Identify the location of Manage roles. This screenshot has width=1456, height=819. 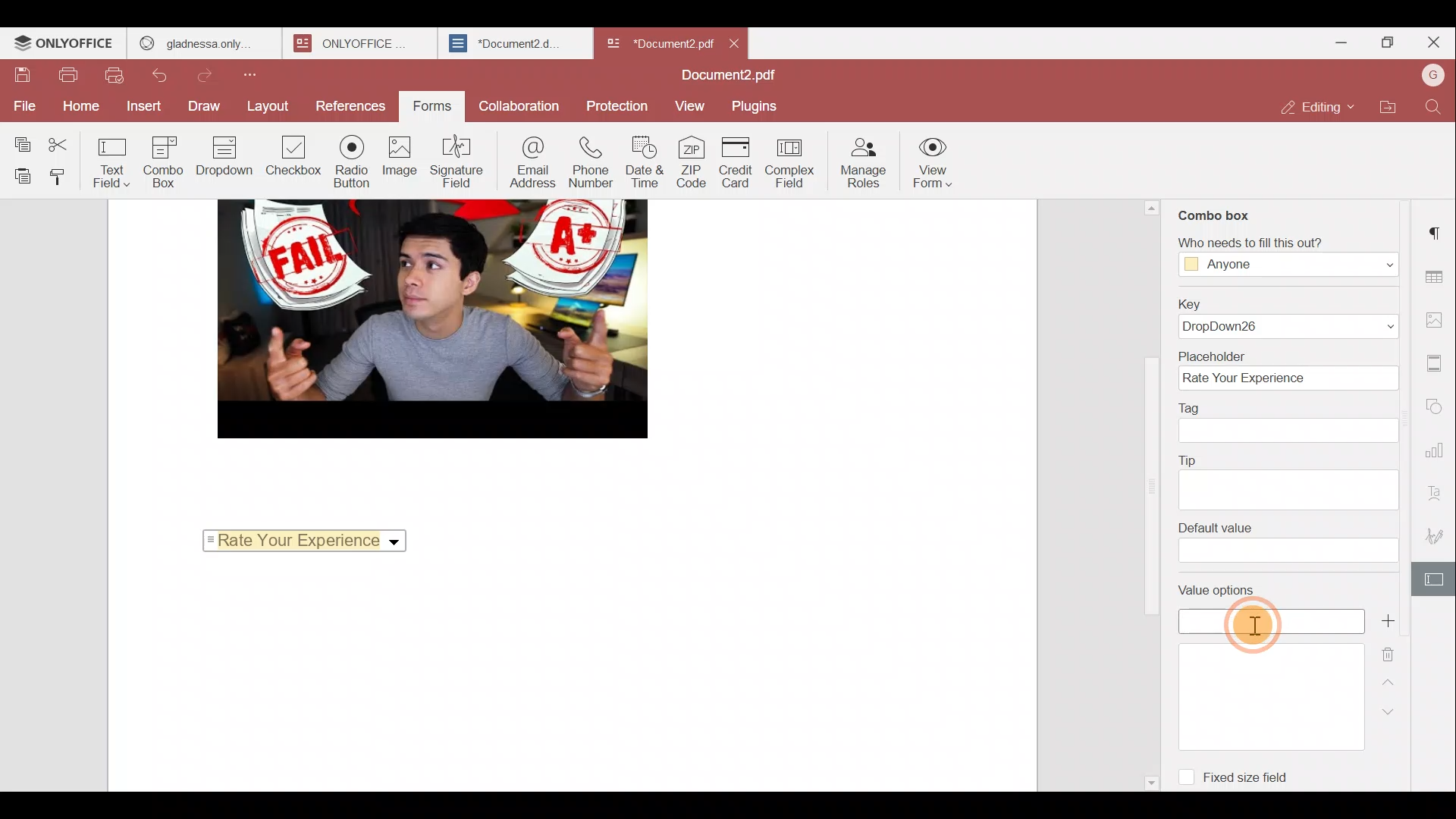
(865, 162).